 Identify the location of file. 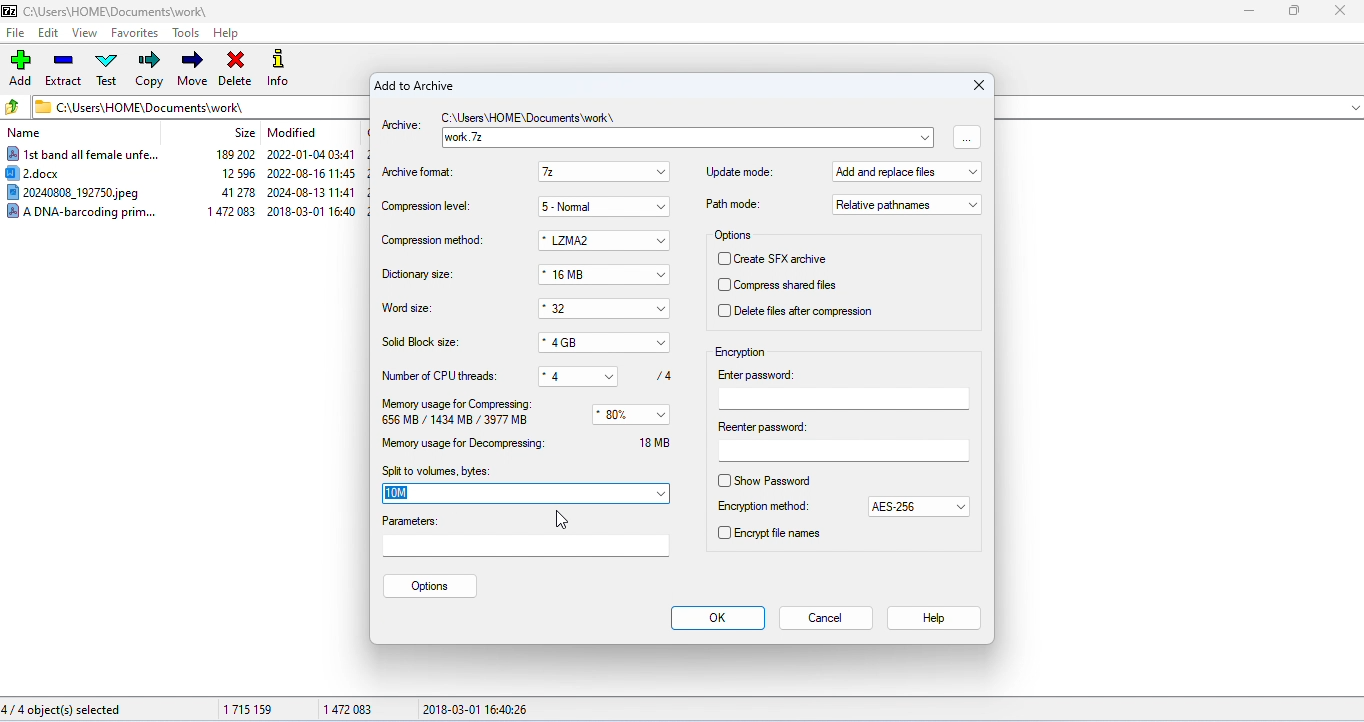
(15, 32).